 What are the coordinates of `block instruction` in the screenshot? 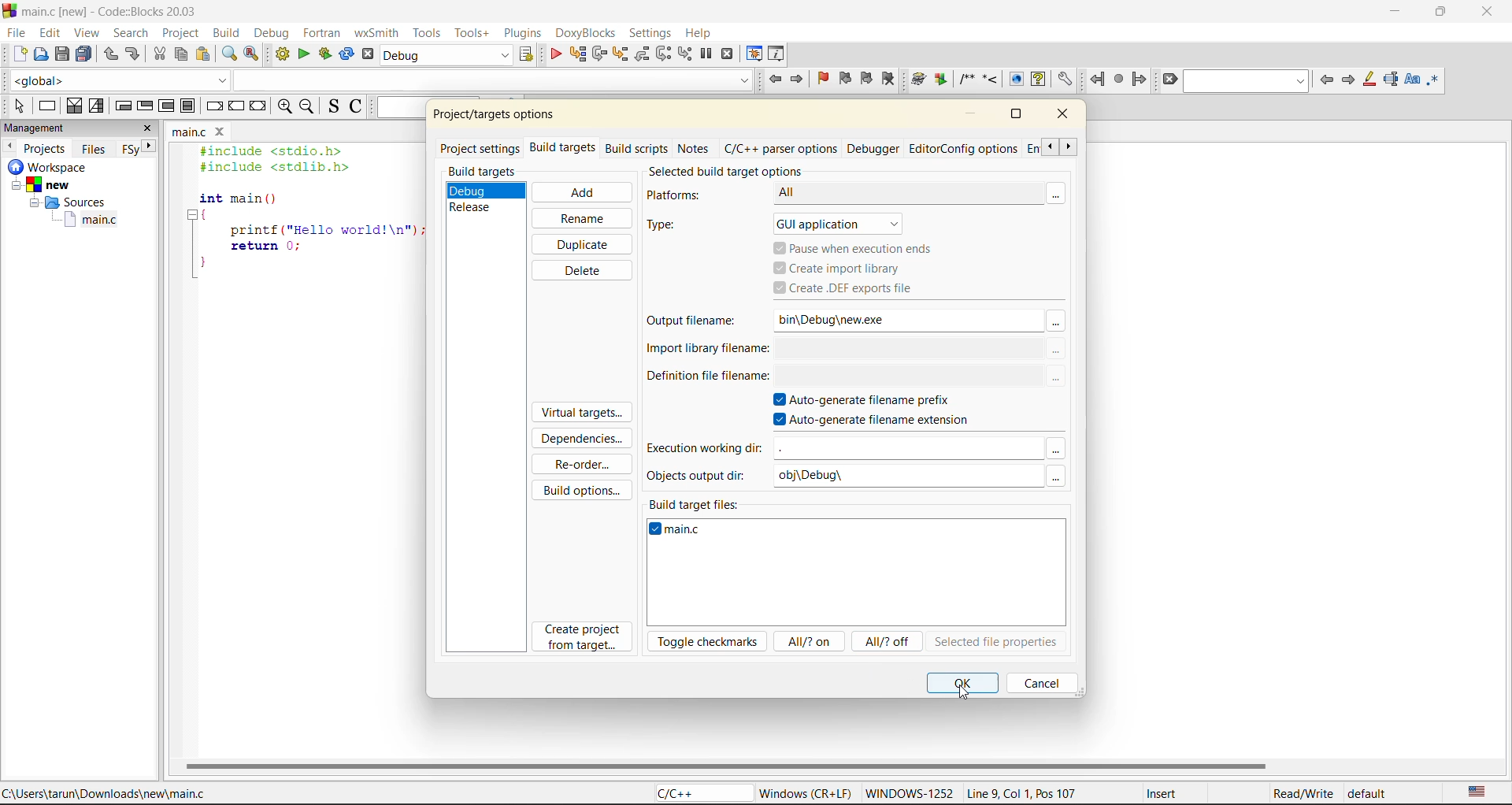 It's located at (190, 105).